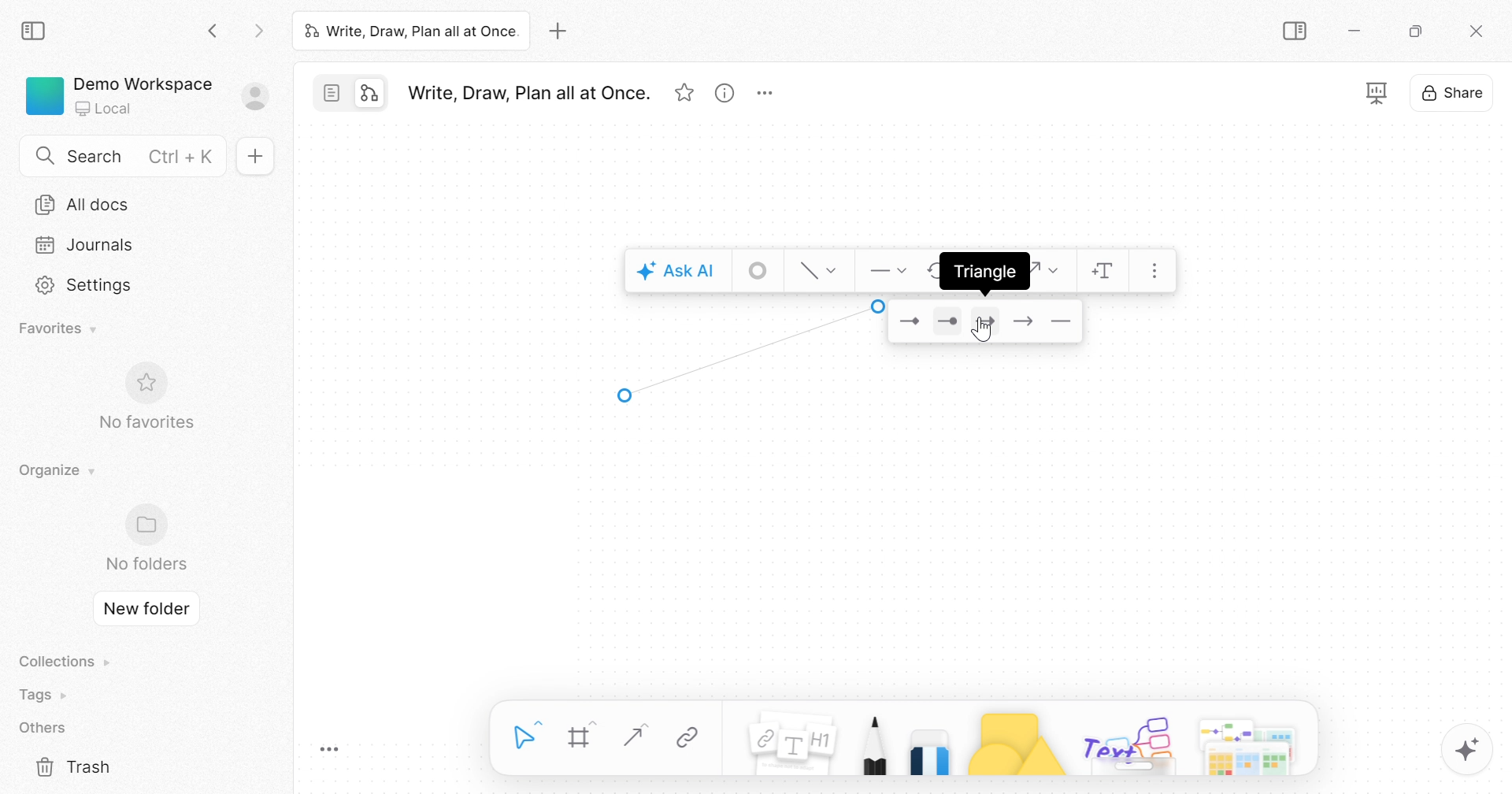 The image size is (1512, 794). What do you see at coordinates (410, 30) in the screenshot?
I see `Write, Draw, Plan all at Once.` at bounding box center [410, 30].